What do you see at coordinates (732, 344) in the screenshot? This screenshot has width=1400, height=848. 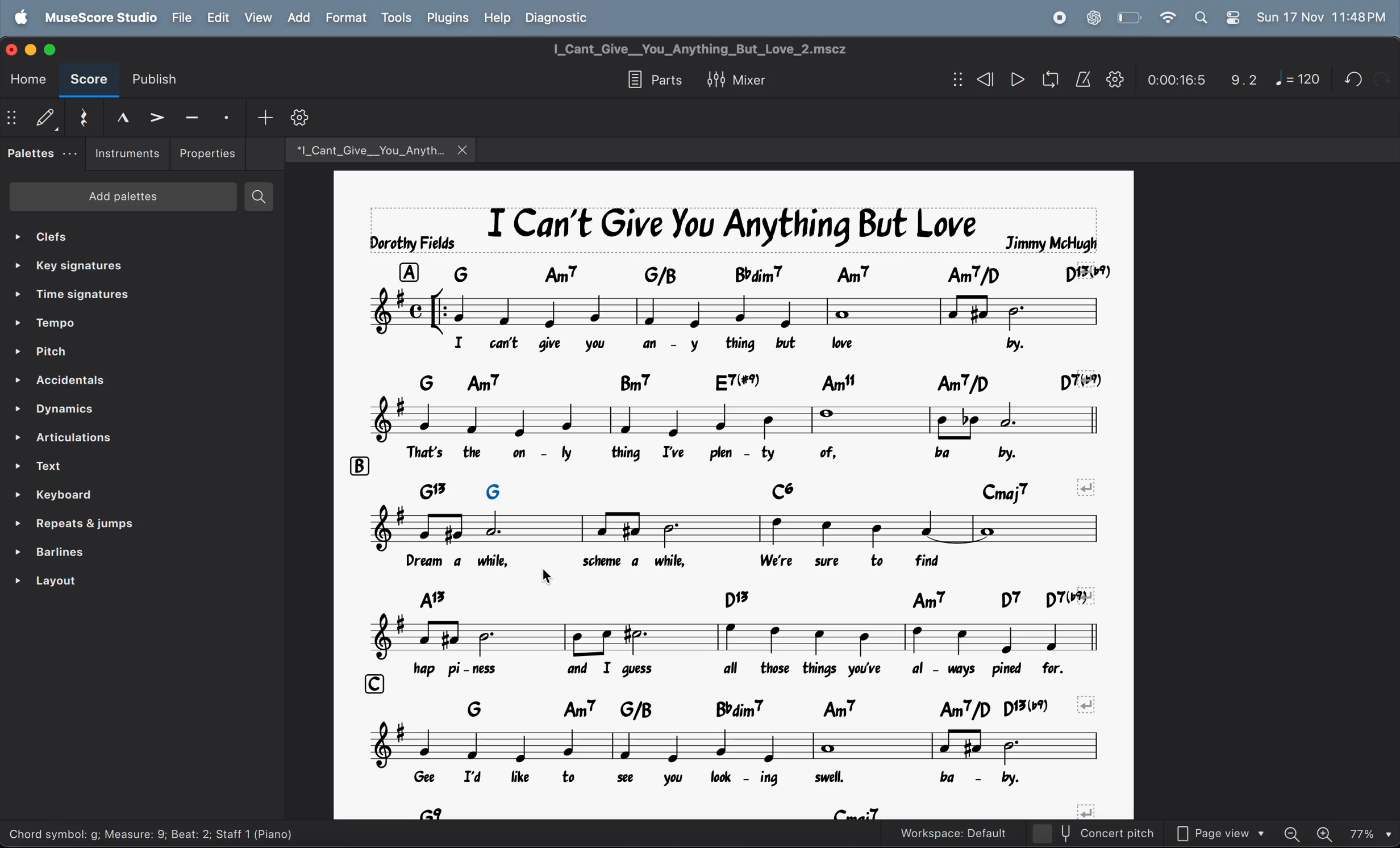 I see `lyrics` at bounding box center [732, 344].